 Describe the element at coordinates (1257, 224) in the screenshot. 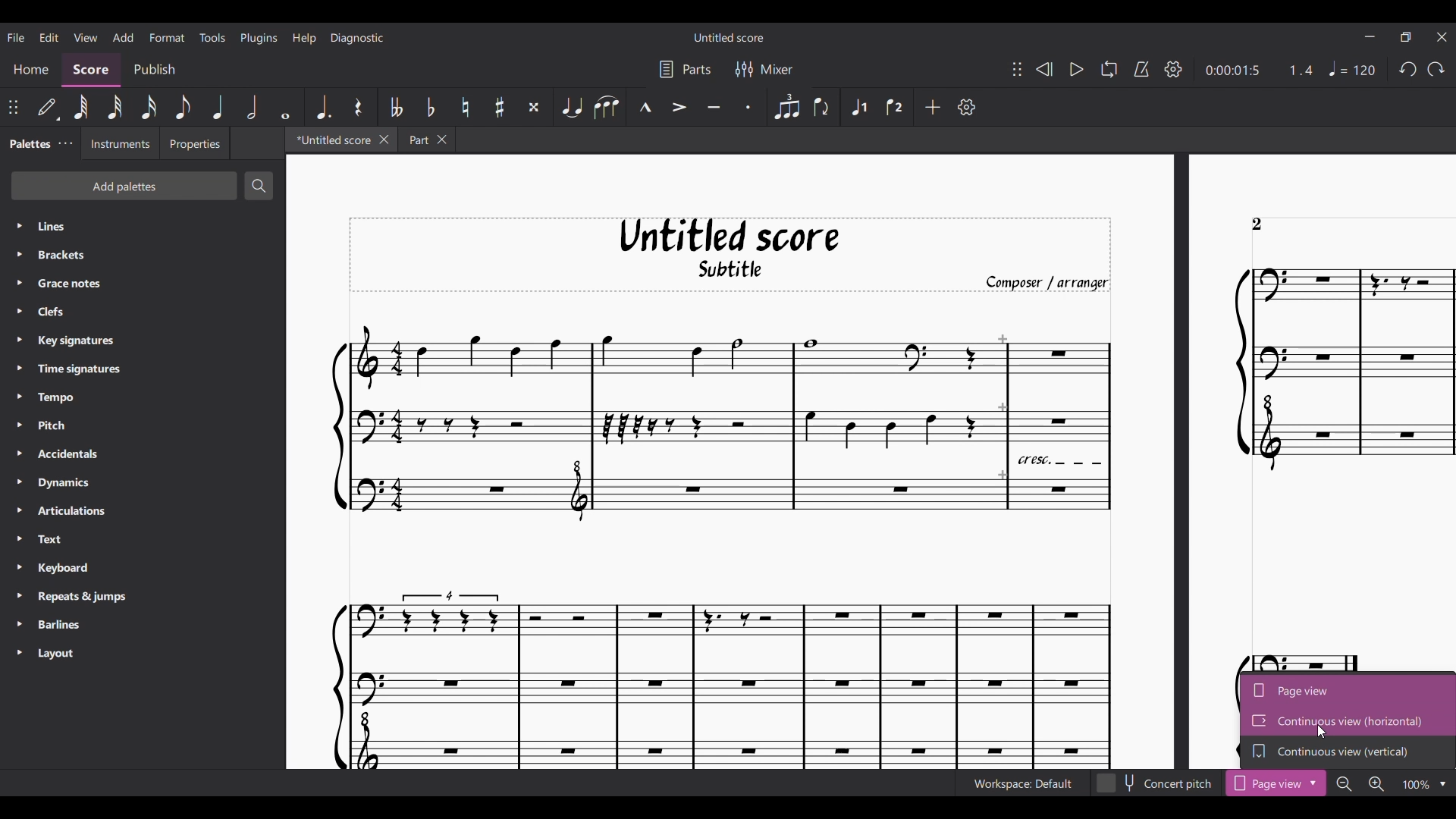

I see `Indicates page number` at that location.